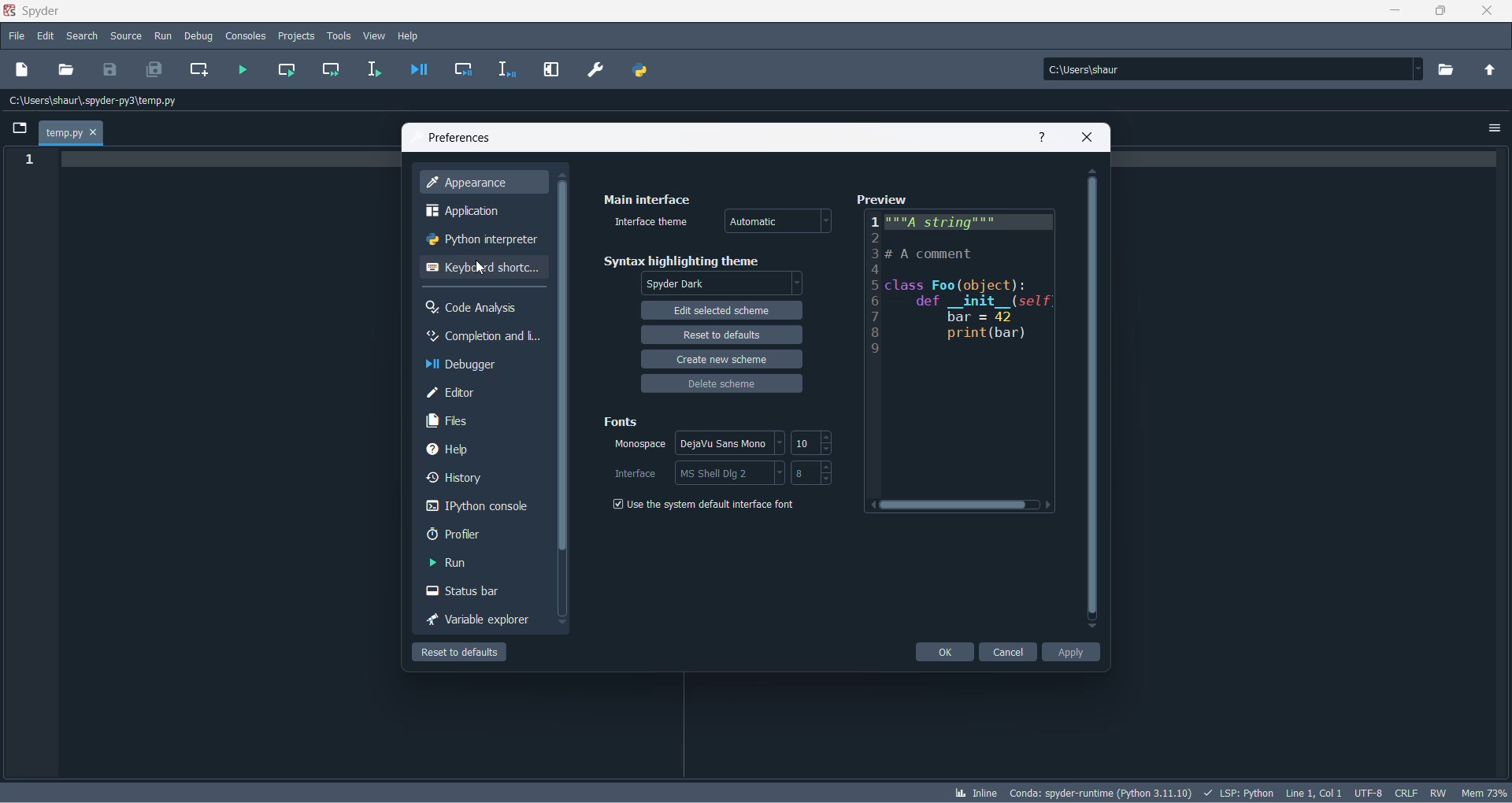  What do you see at coordinates (1406, 791) in the screenshot?
I see `file EOL status` at bounding box center [1406, 791].